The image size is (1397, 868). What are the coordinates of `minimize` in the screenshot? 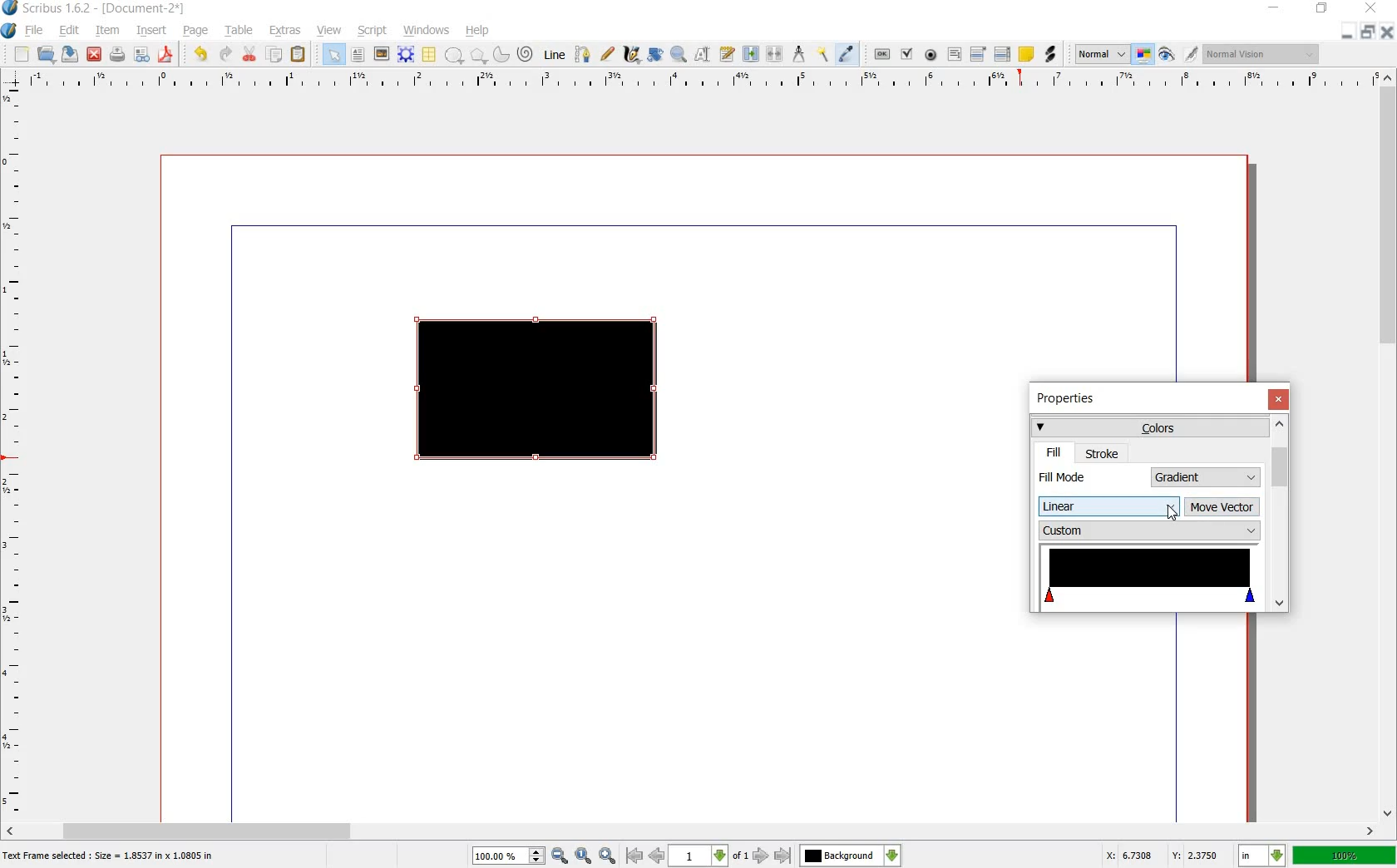 It's located at (1275, 8).